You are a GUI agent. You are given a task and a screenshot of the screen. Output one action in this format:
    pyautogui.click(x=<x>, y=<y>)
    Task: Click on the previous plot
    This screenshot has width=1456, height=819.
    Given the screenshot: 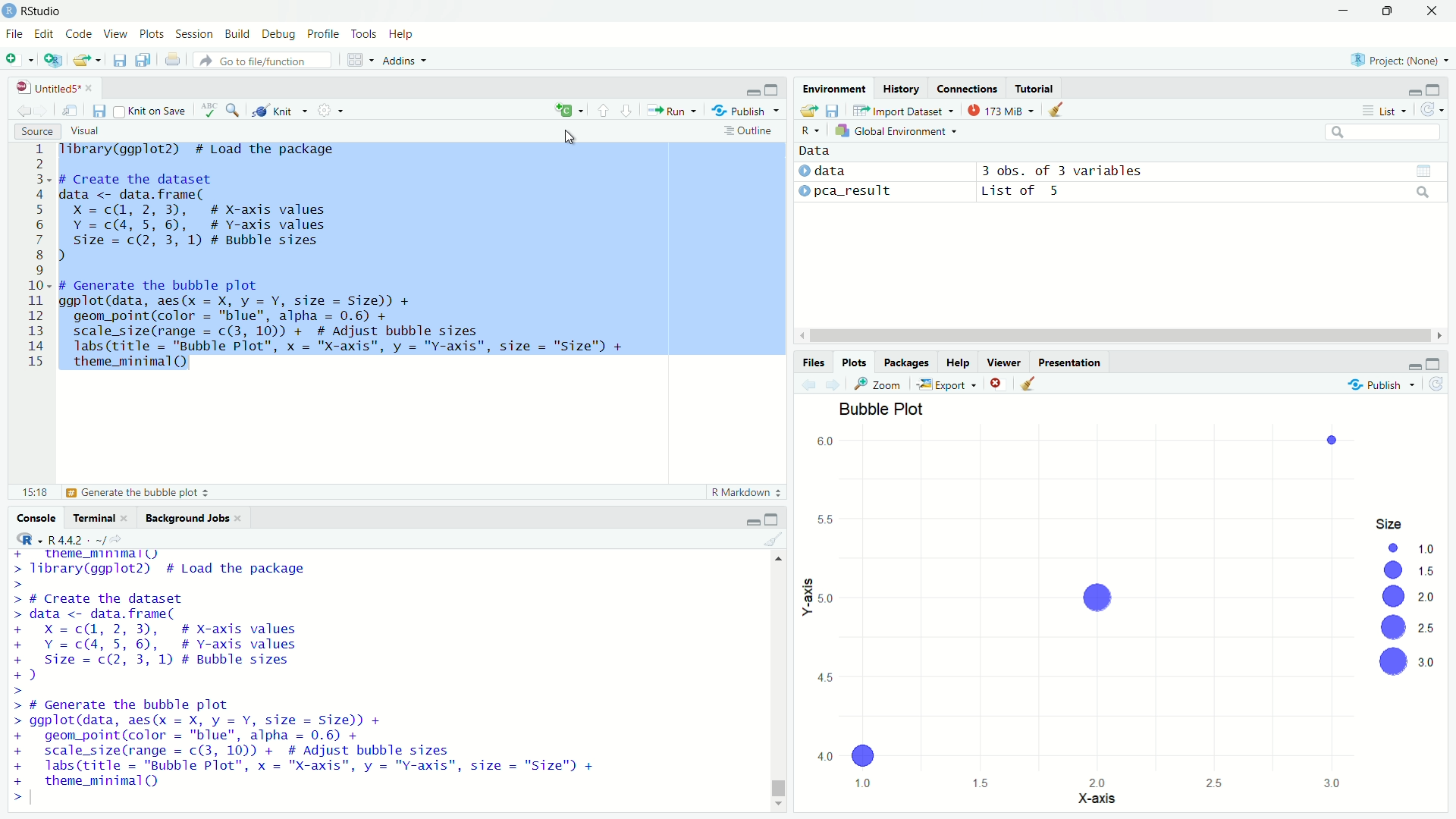 What is the action you would take?
    pyautogui.click(x=807, y=384)
    